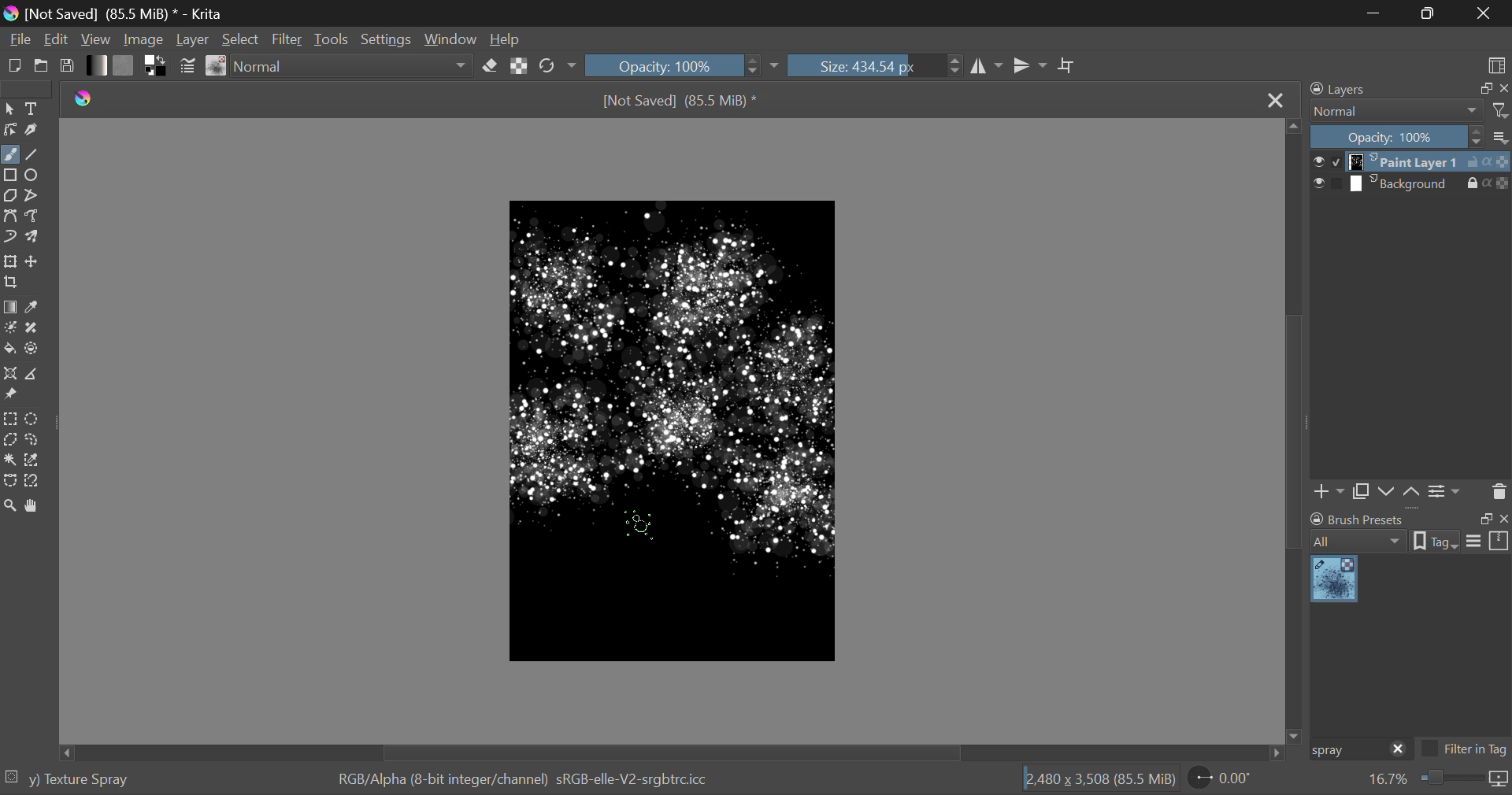 The width and height of the screenshot is (1512, 795). I want to click on close, so click(1503, 519).